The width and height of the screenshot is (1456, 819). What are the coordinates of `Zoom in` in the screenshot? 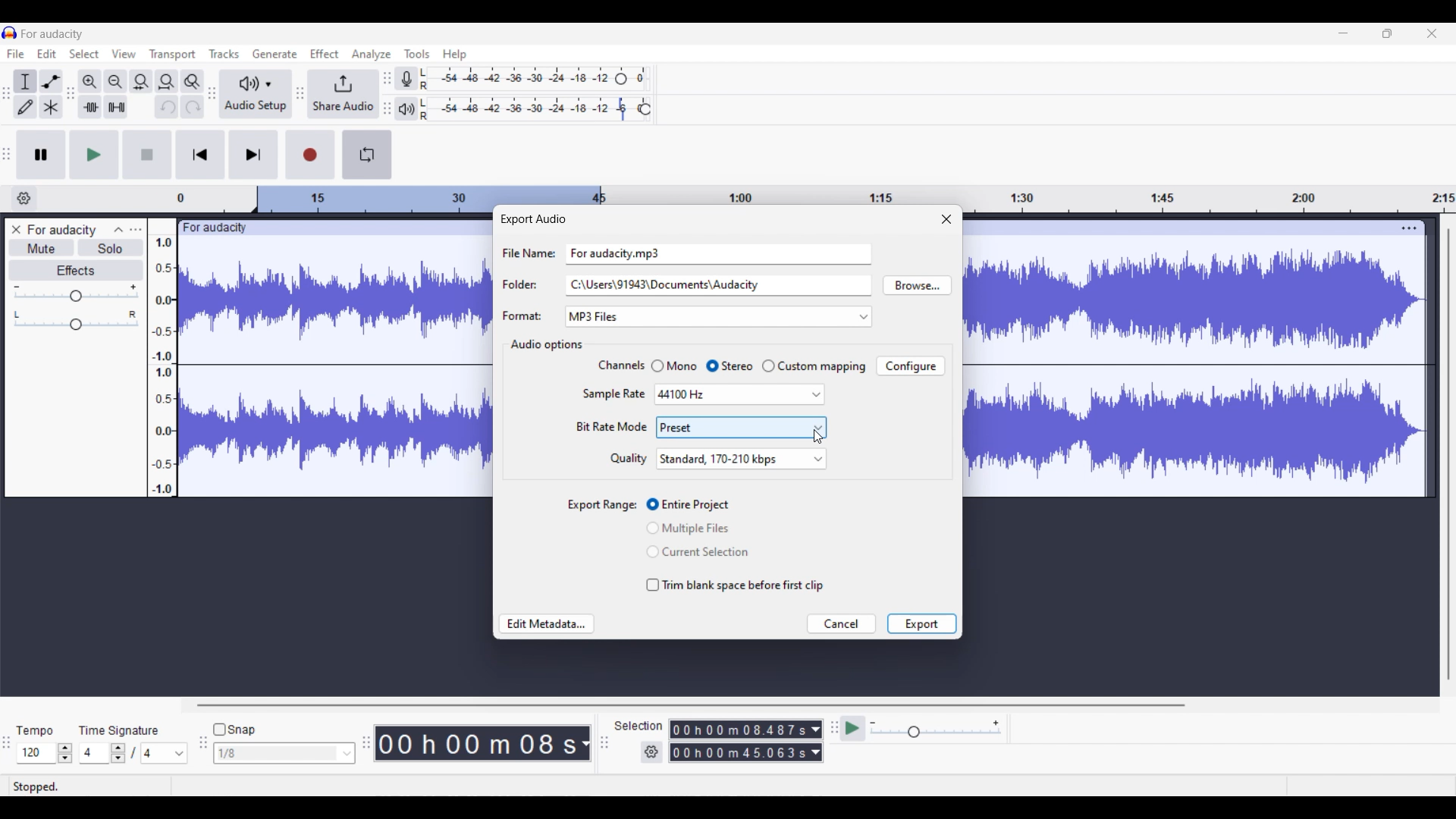 It's located at (89, 82).